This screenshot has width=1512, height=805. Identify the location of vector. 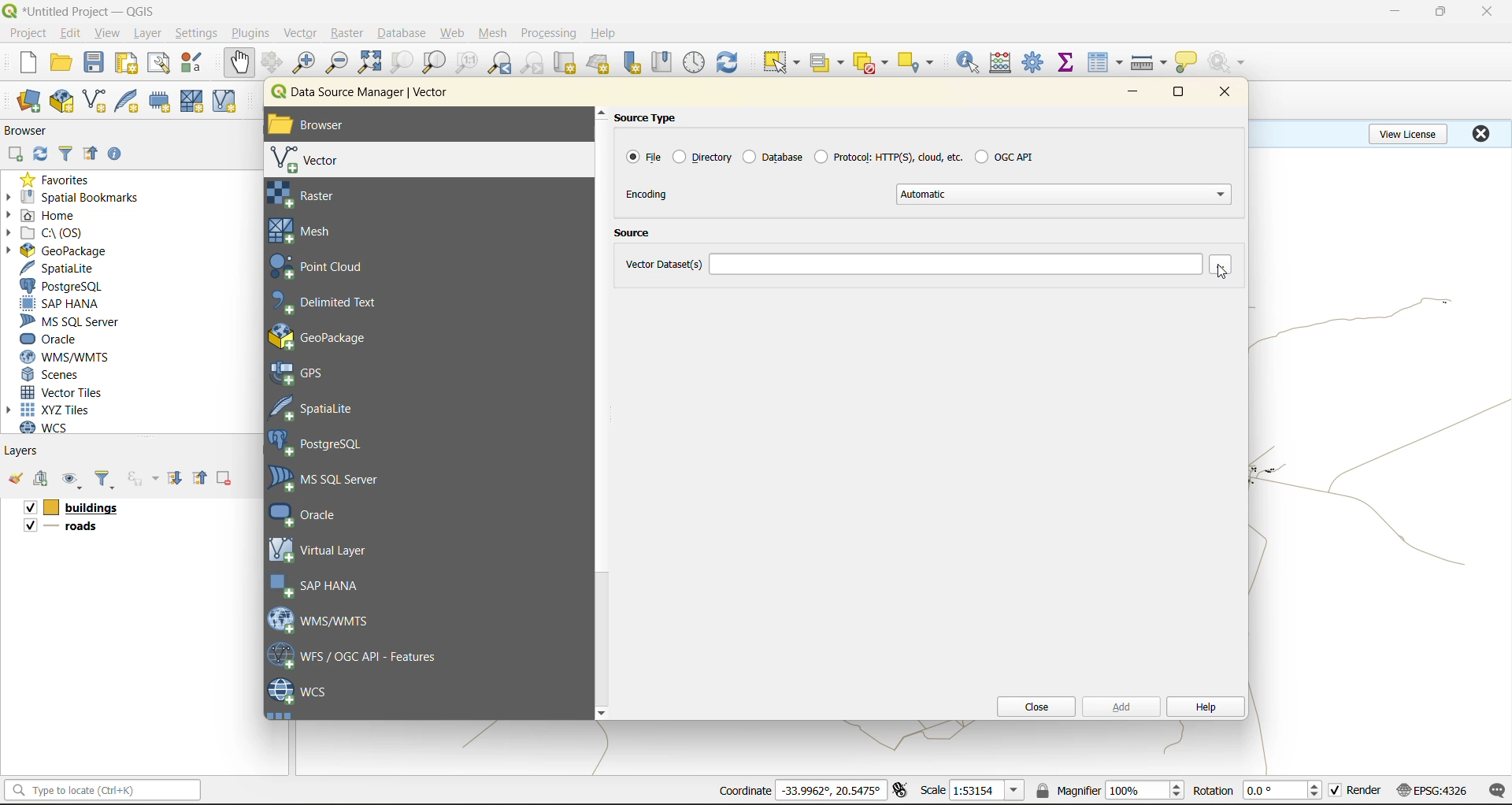
(302, 33).